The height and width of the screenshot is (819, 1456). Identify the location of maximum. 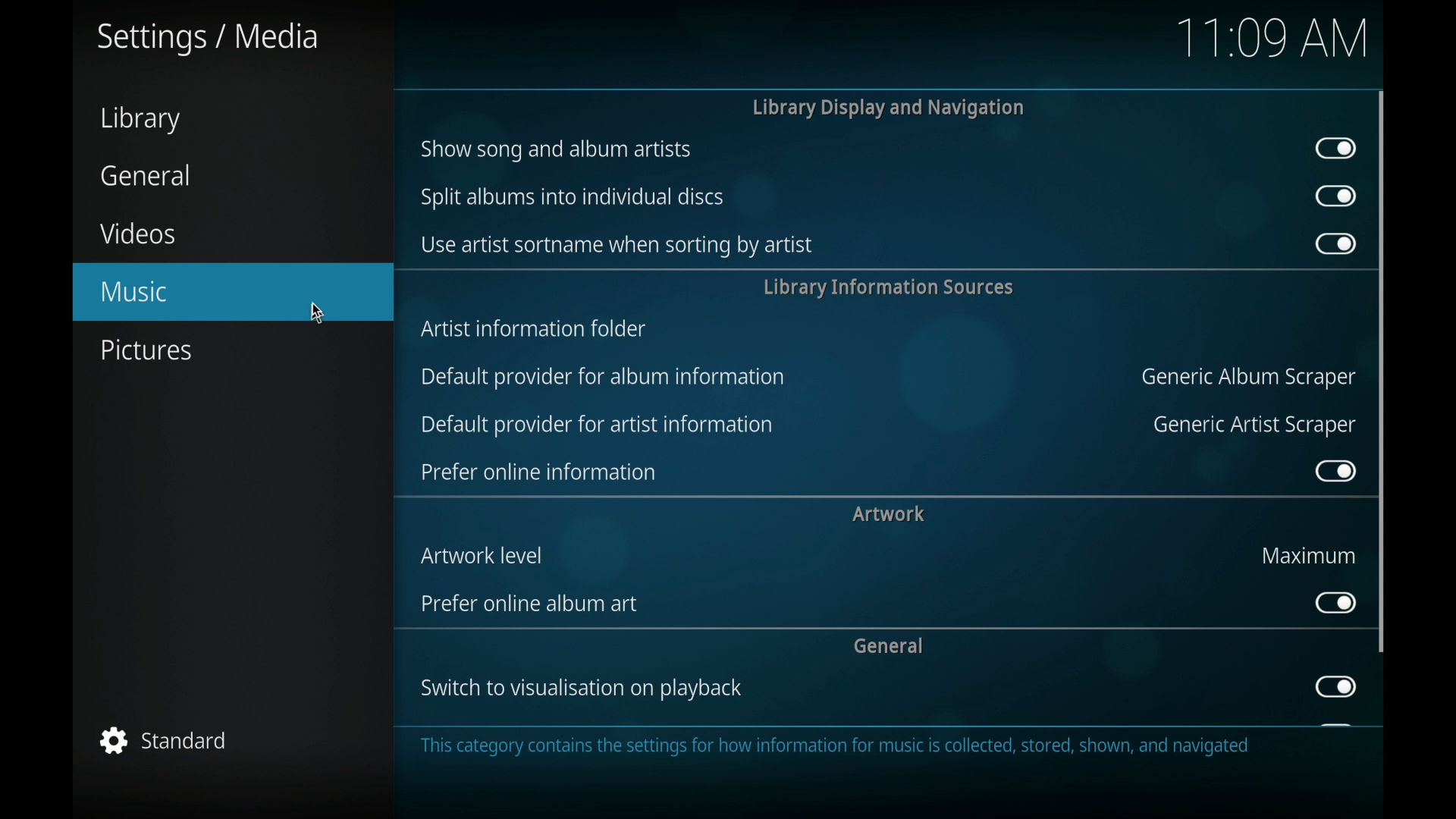
(1307, 555).